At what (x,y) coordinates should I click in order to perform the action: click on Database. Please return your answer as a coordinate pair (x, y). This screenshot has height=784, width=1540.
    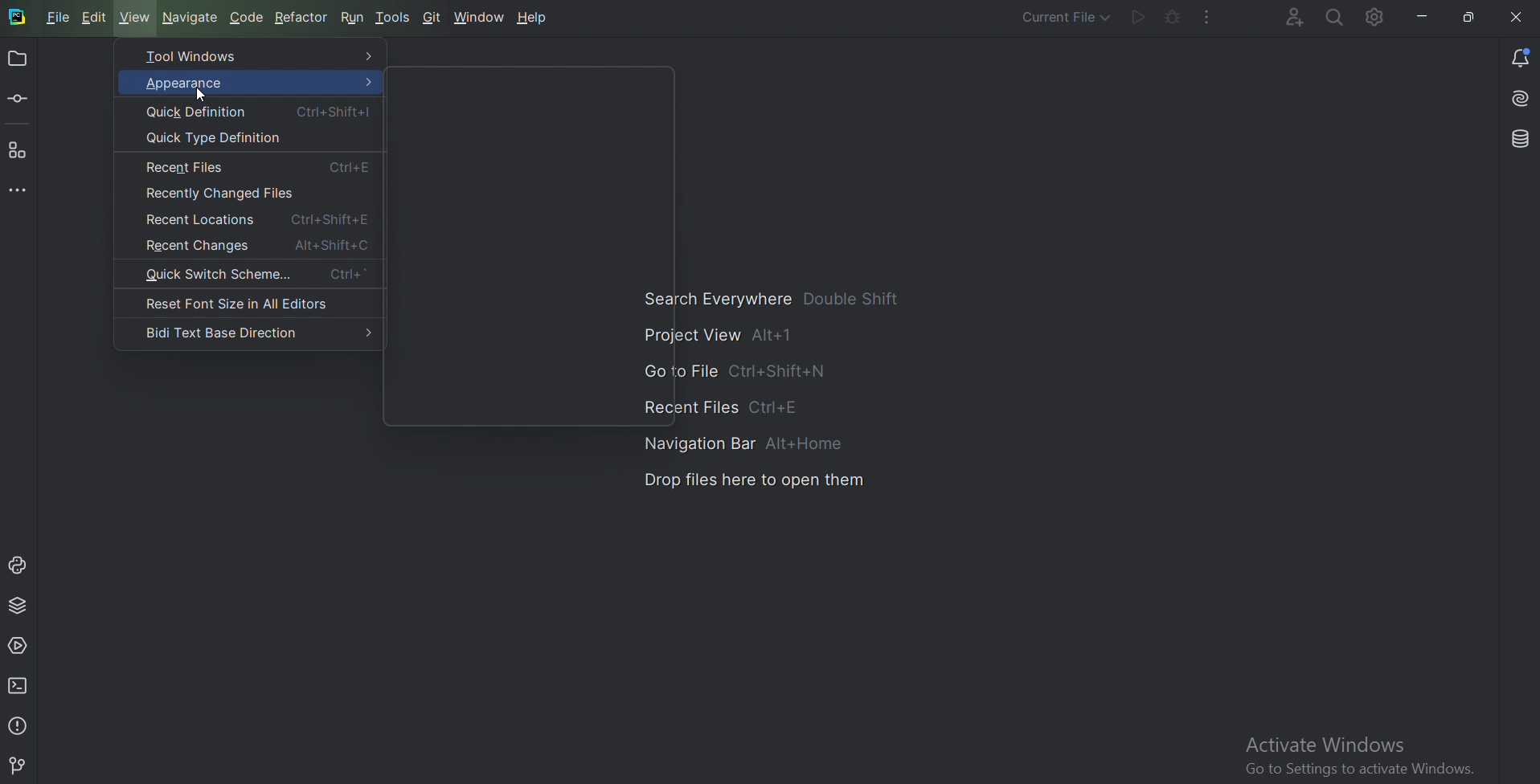
    Looking at the image, I should click on (1518, 140).